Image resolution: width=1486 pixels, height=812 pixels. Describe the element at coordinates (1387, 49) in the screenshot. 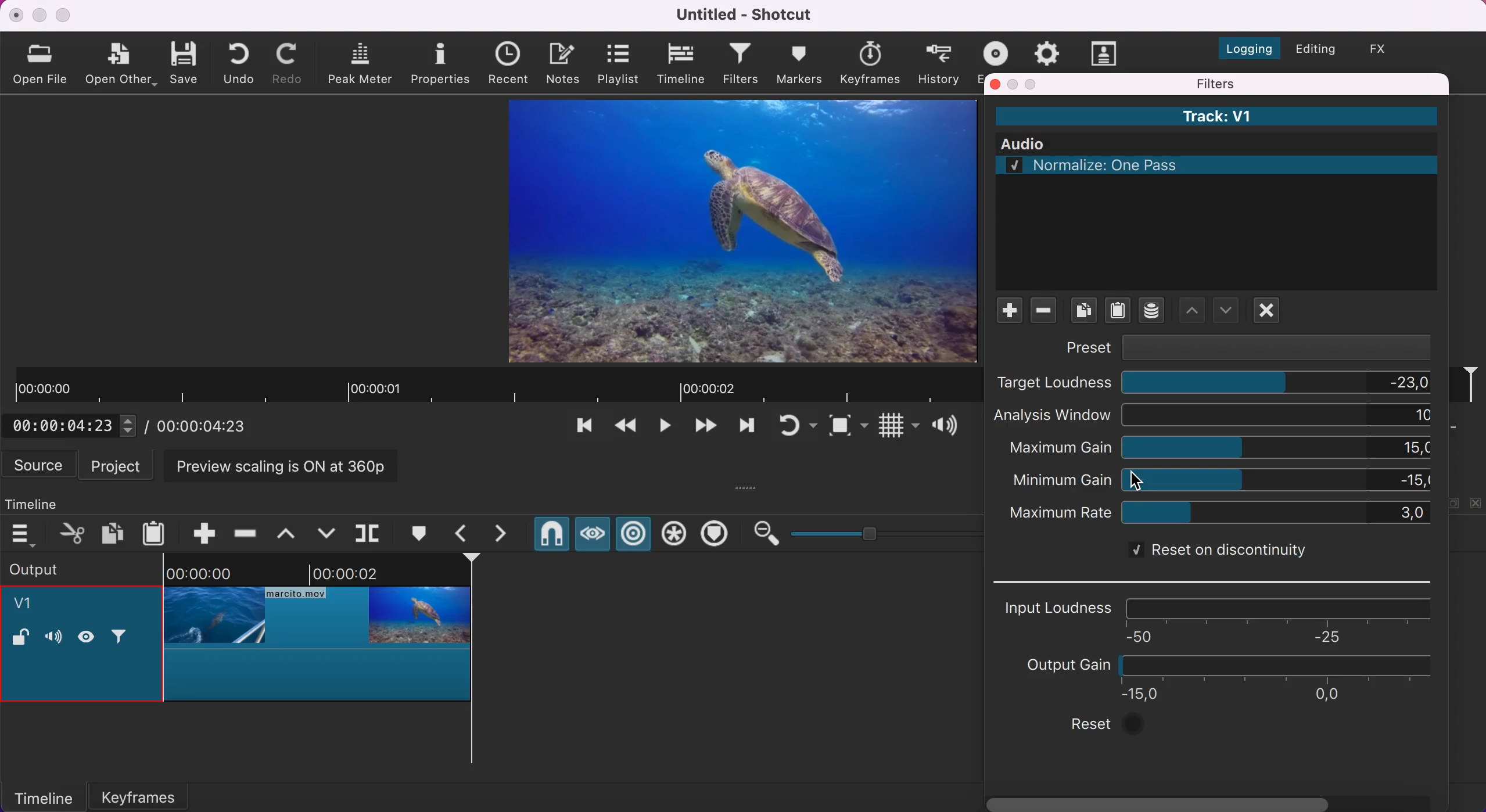

I see `switch to the effects layout` at that location.